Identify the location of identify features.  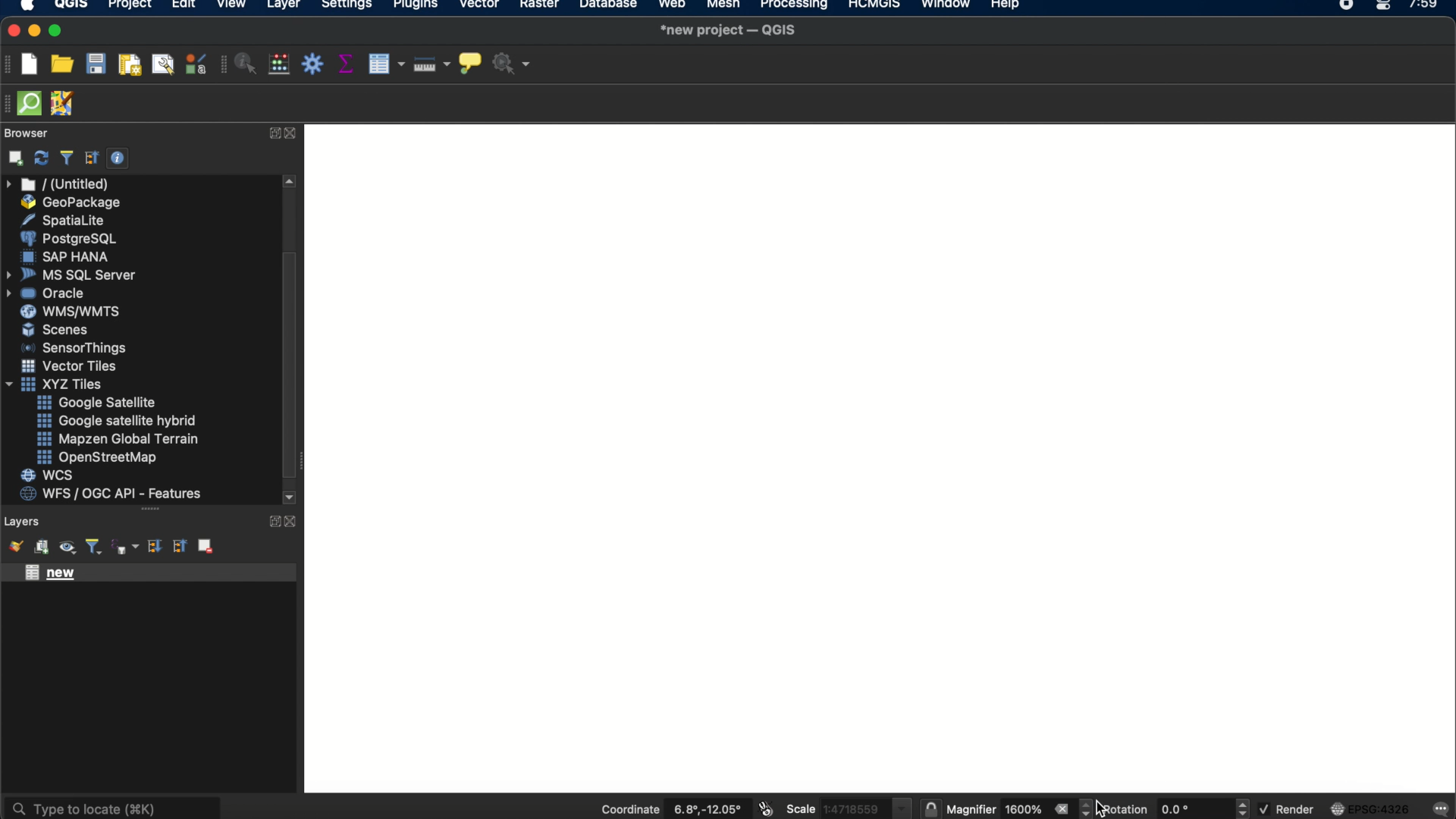
(240, 64).